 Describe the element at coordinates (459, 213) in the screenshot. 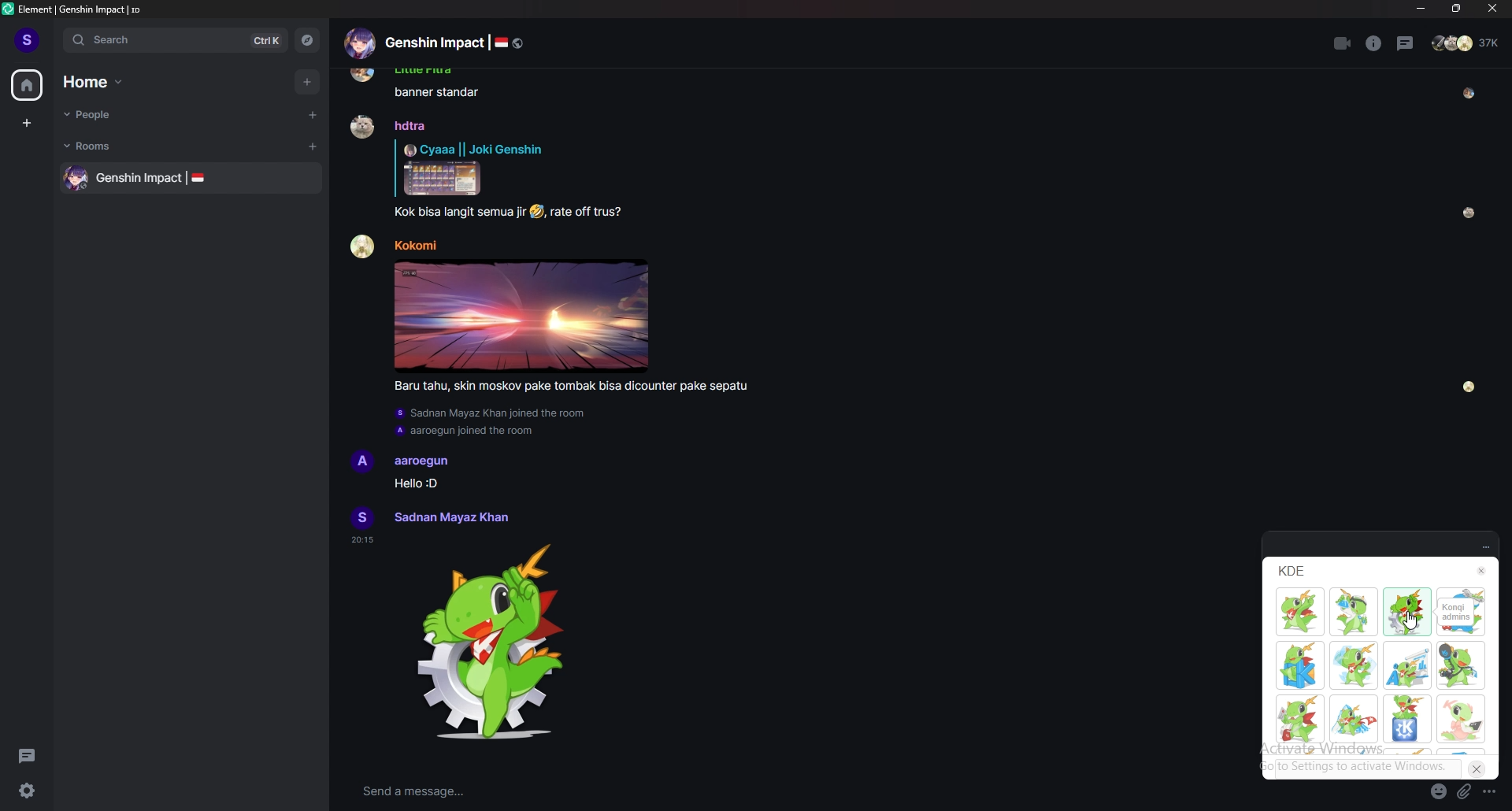

I see `Kok bisa langit semua jir` at that location.